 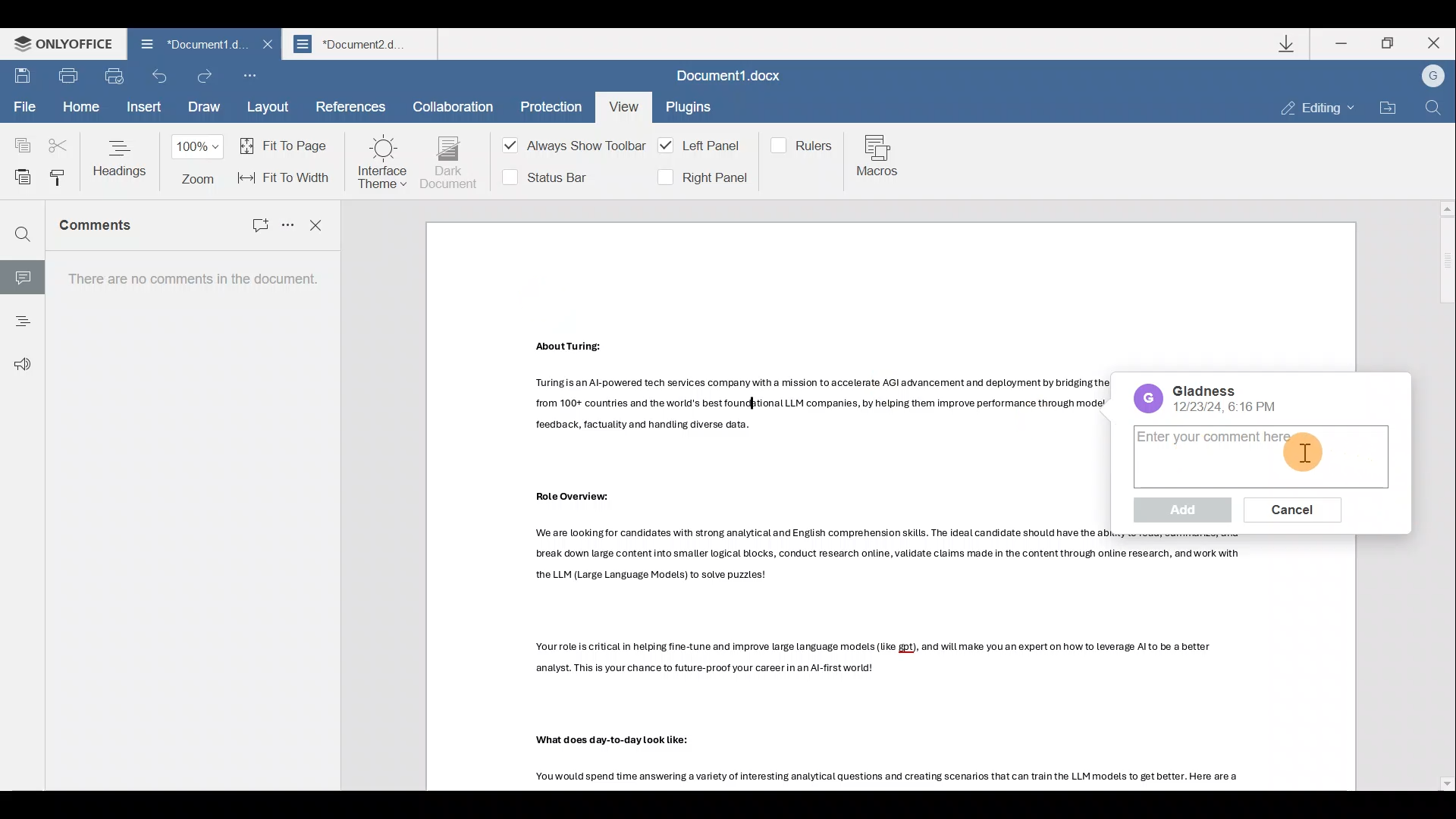 What do you see at coordinates (18, 174) in the screenshot?
I see `Paste` at bounding box center [18, 174].